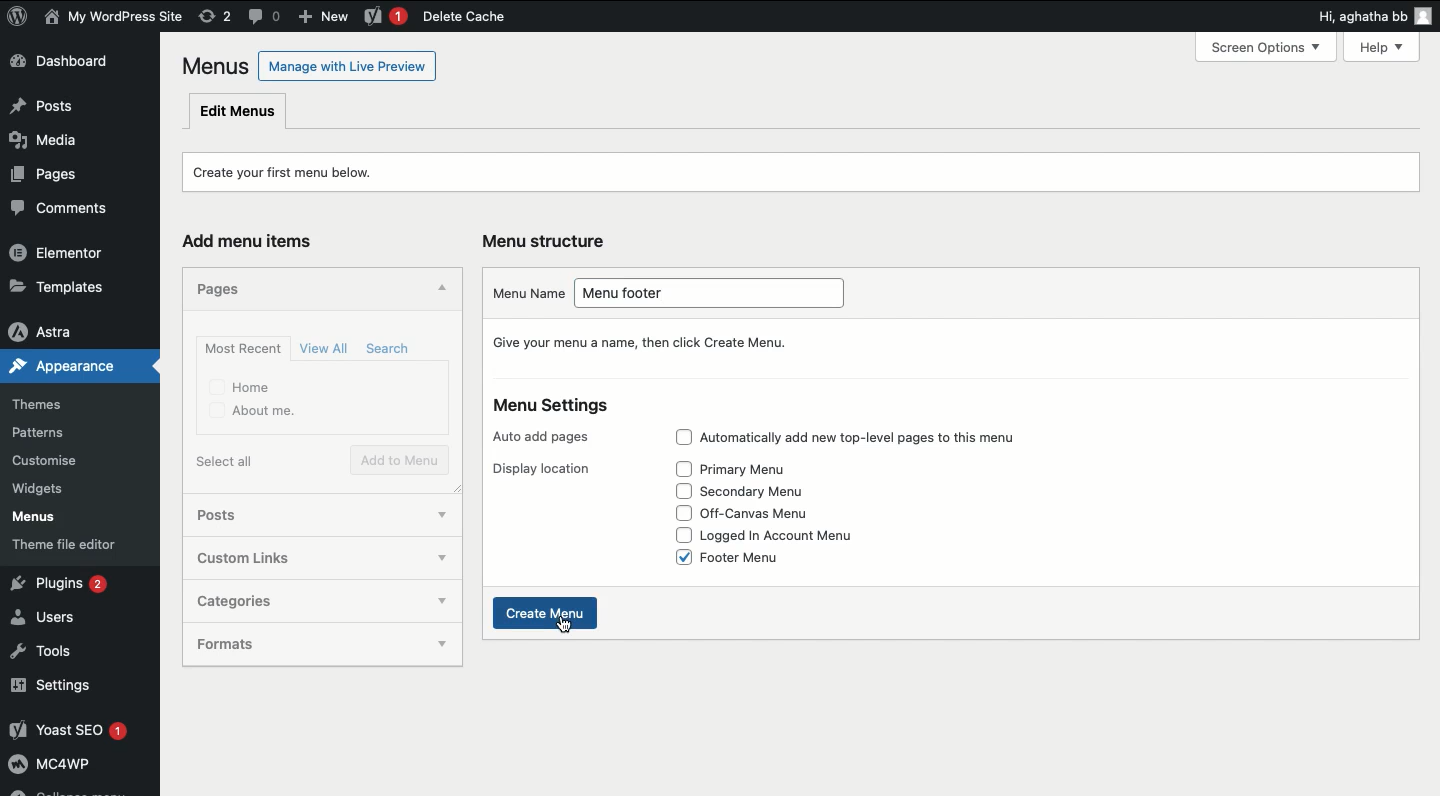 The height and width of the screenshot is (796, 1440). Describe the element at coordinates (292, 173) in the screenshot. I see `Create your first menu below` at that location.